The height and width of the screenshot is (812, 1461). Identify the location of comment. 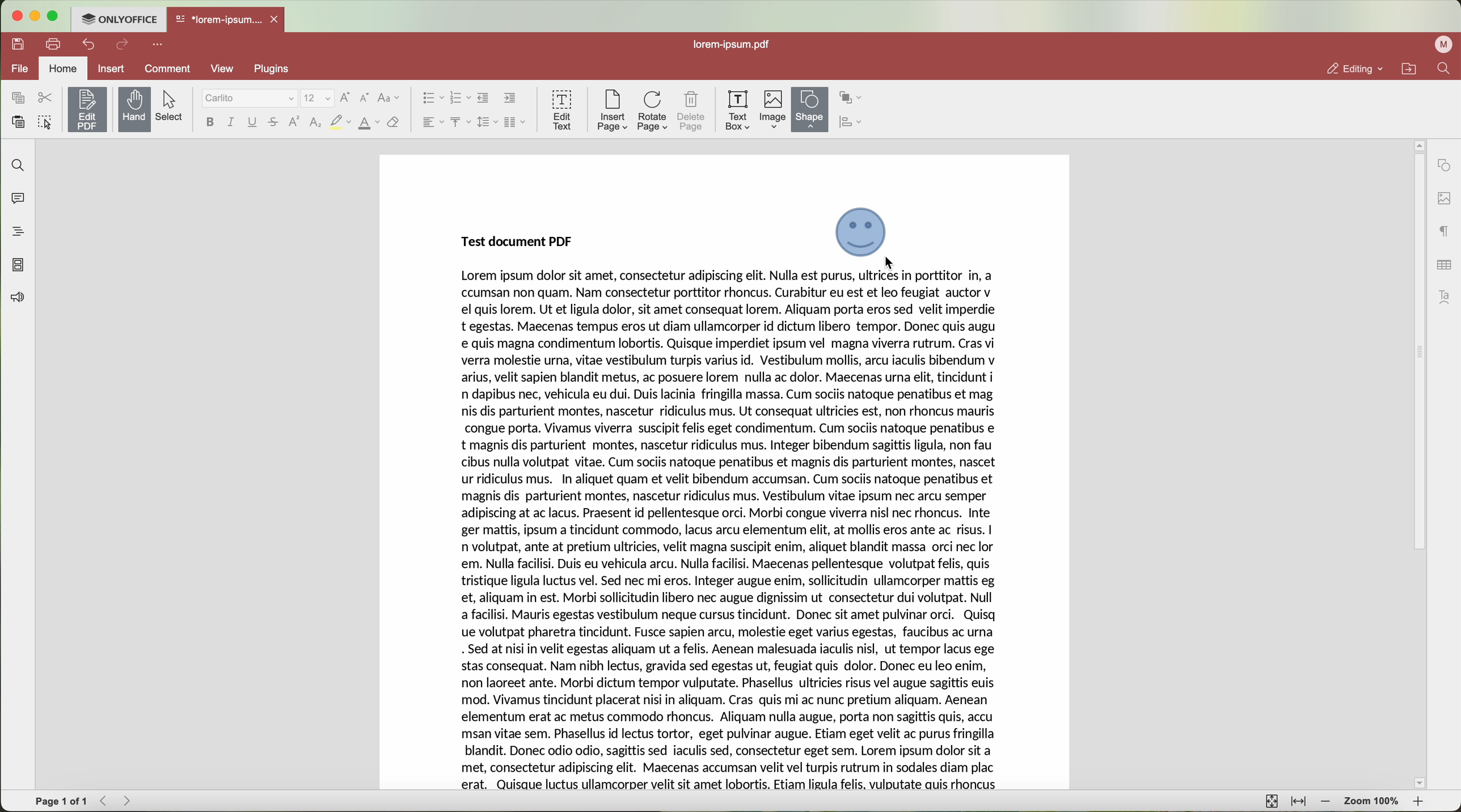
(166, 69).